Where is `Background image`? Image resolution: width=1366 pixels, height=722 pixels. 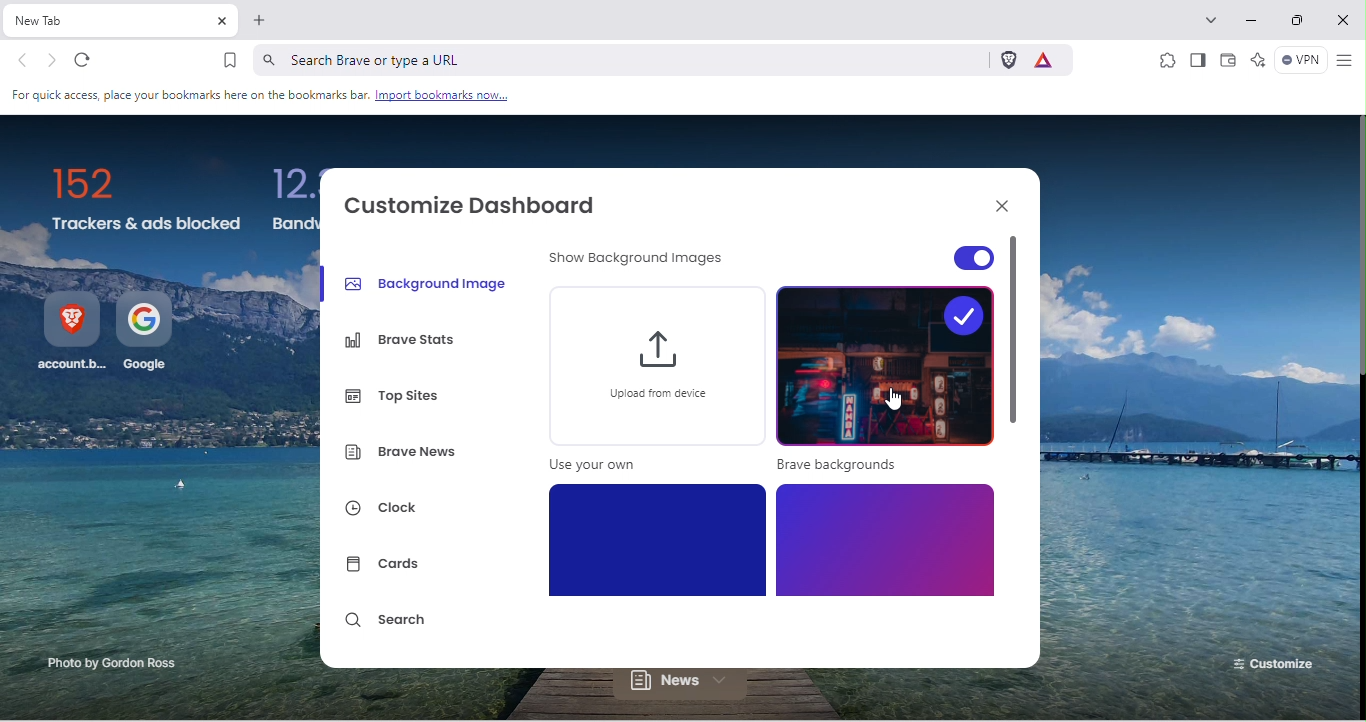
Background image is located at coordinates (428, 282).